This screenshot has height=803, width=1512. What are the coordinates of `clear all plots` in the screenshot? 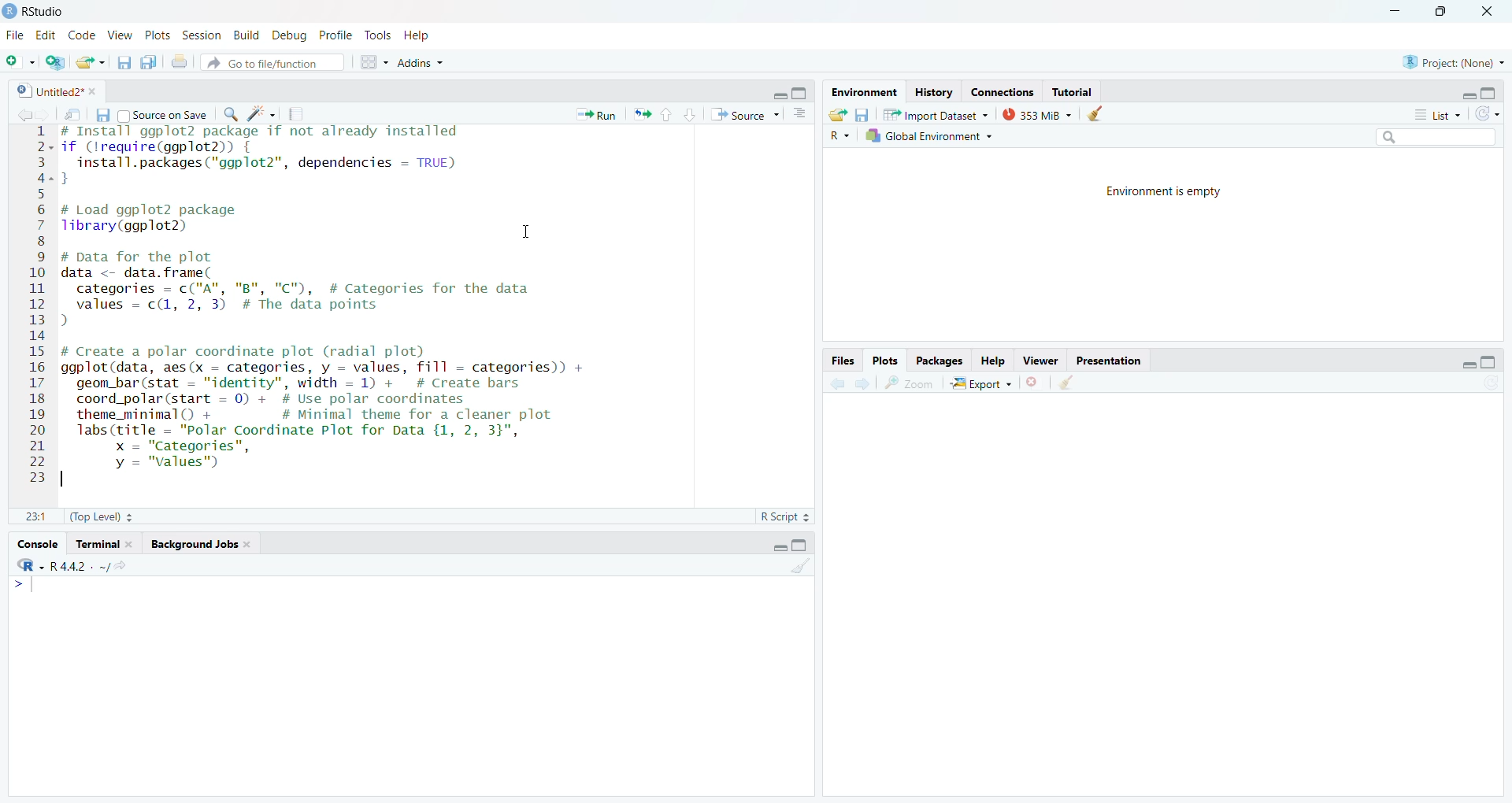 It's located at (1070, 385).